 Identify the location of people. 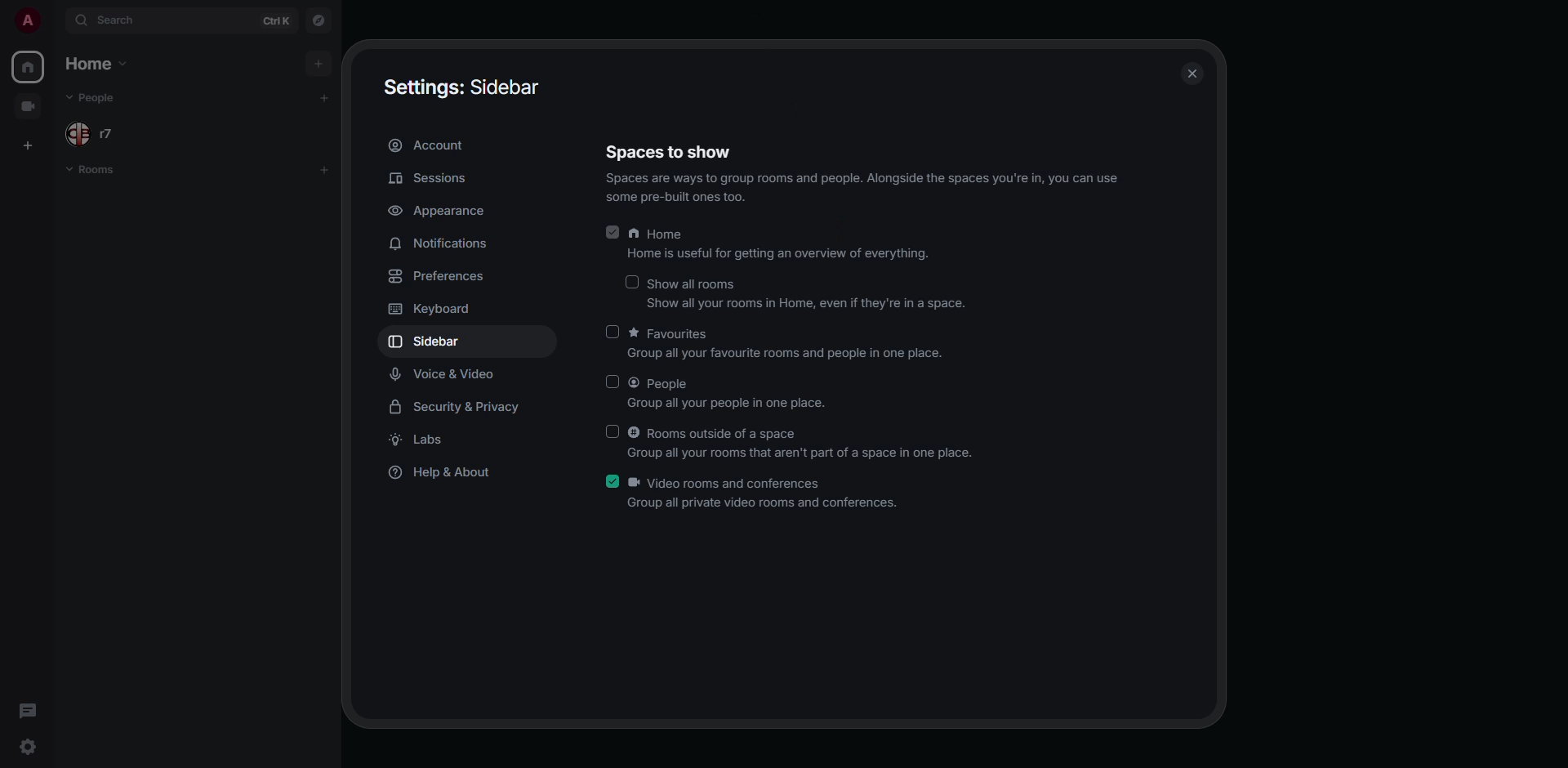
(91, 132).